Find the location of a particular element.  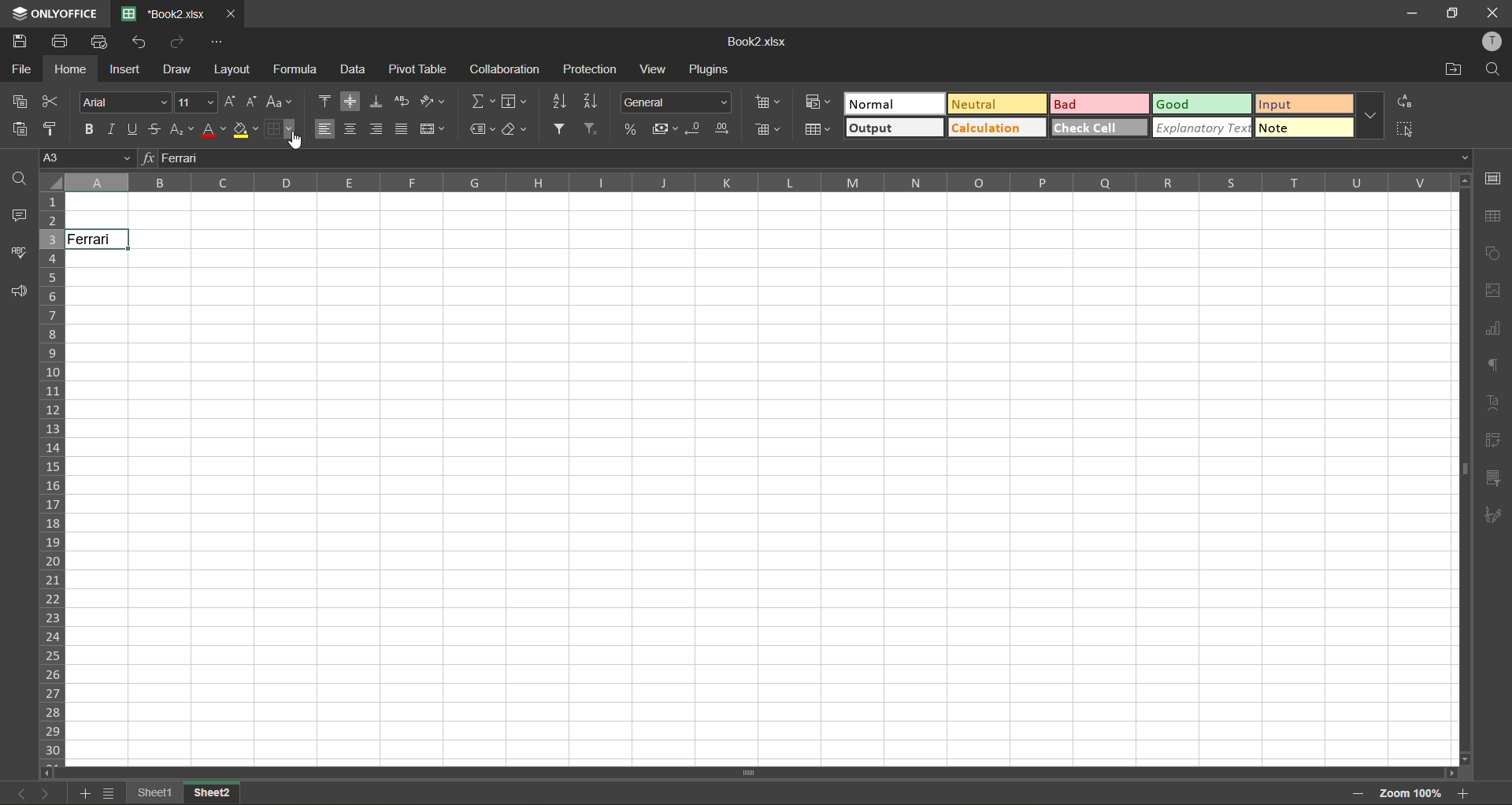

undo is located at coordinates (139, 43).